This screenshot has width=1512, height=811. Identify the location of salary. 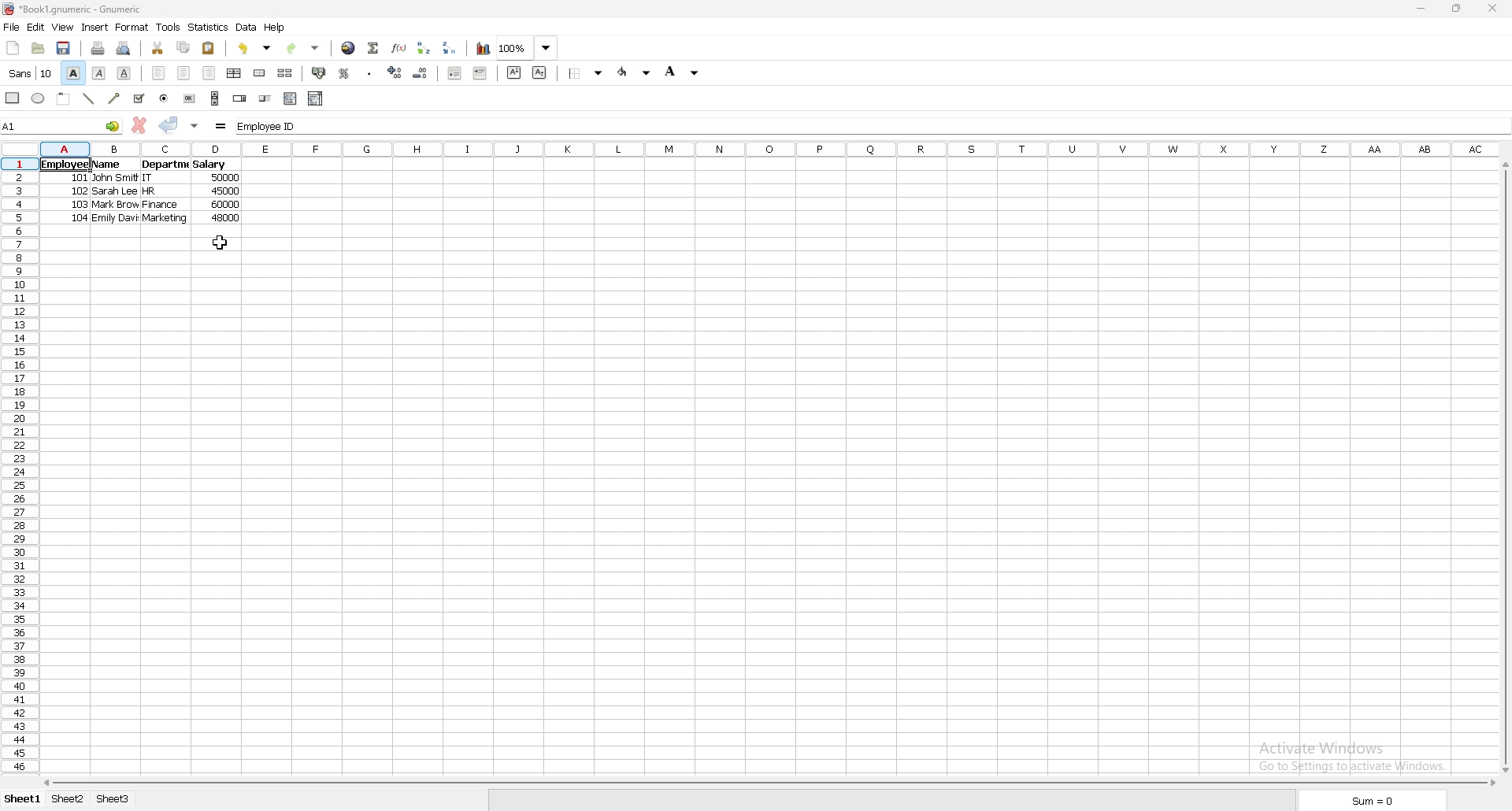
(210, 165).